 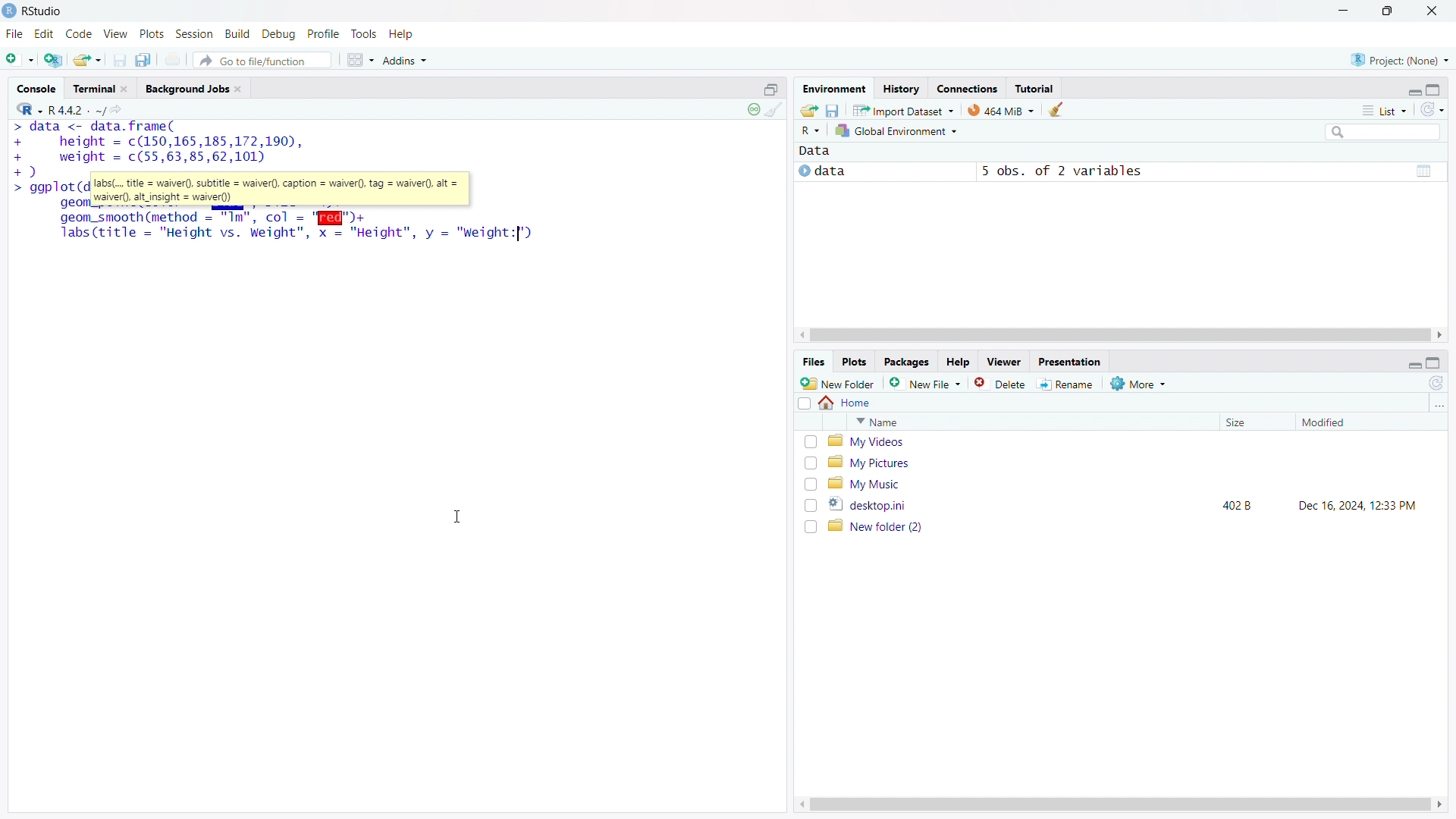 I want to click on expand pane, so click(x=1436, y=363).